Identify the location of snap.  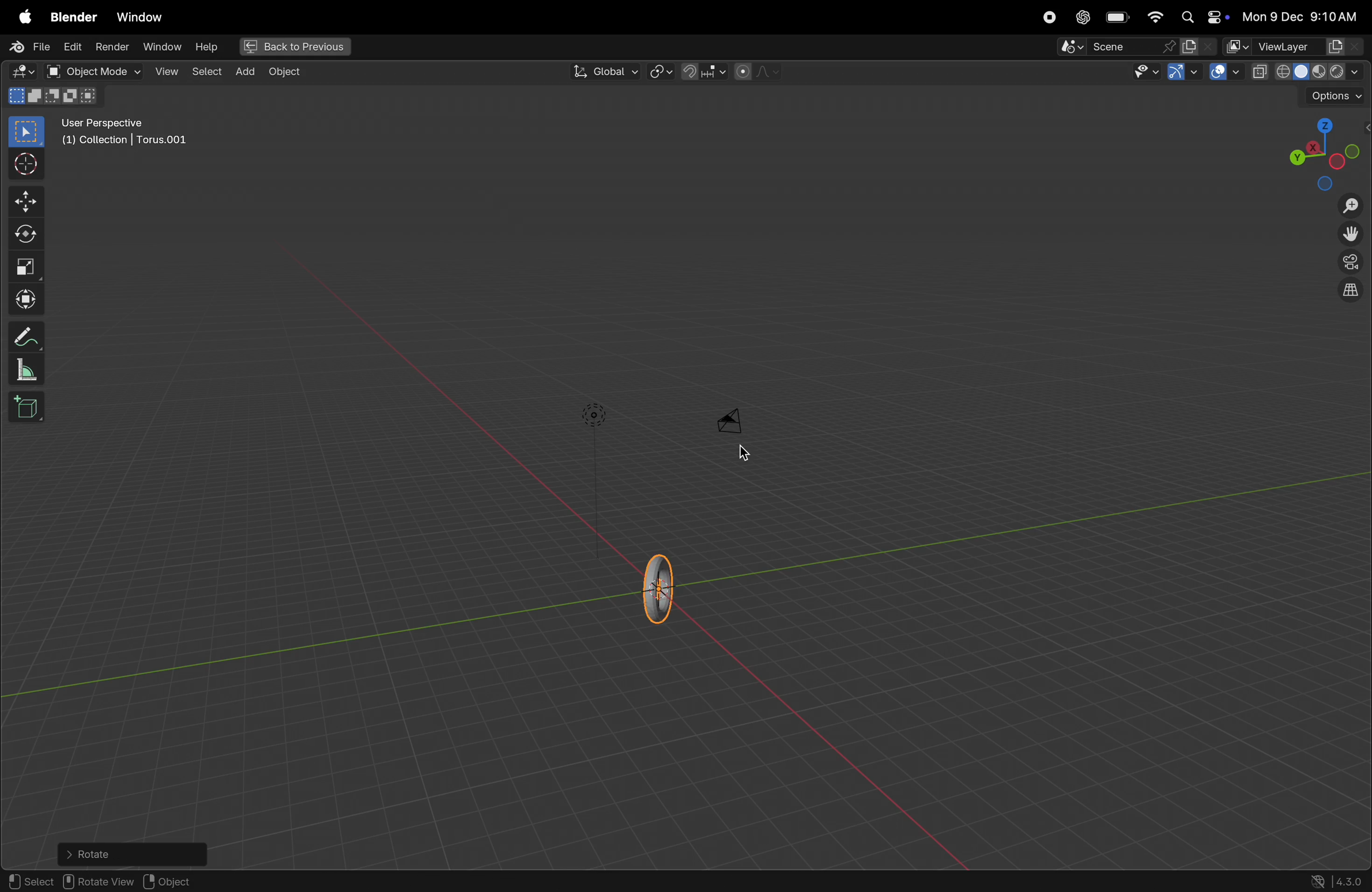
(702, 71).